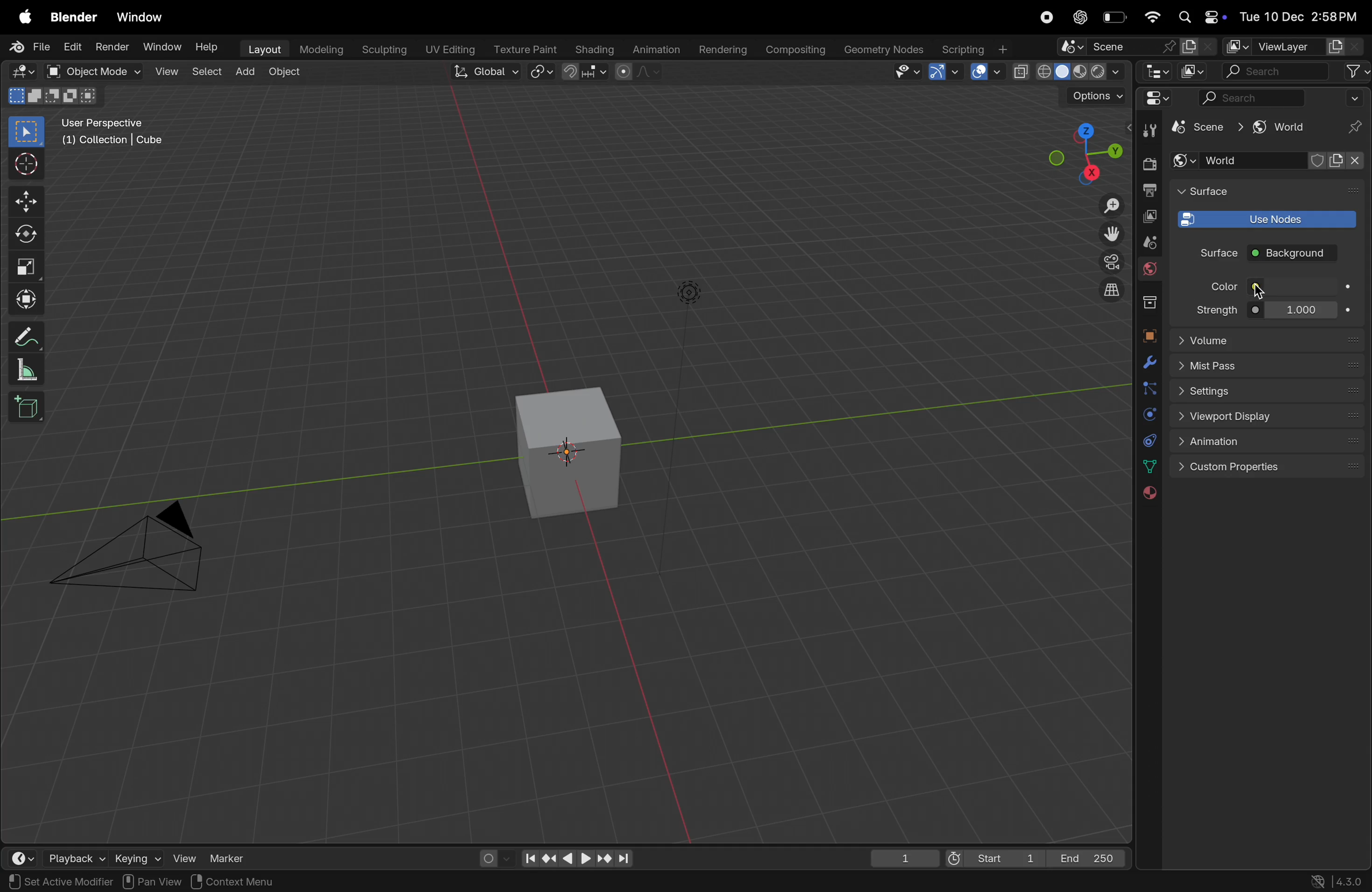  I want to click on add cube, so click(31, 407).